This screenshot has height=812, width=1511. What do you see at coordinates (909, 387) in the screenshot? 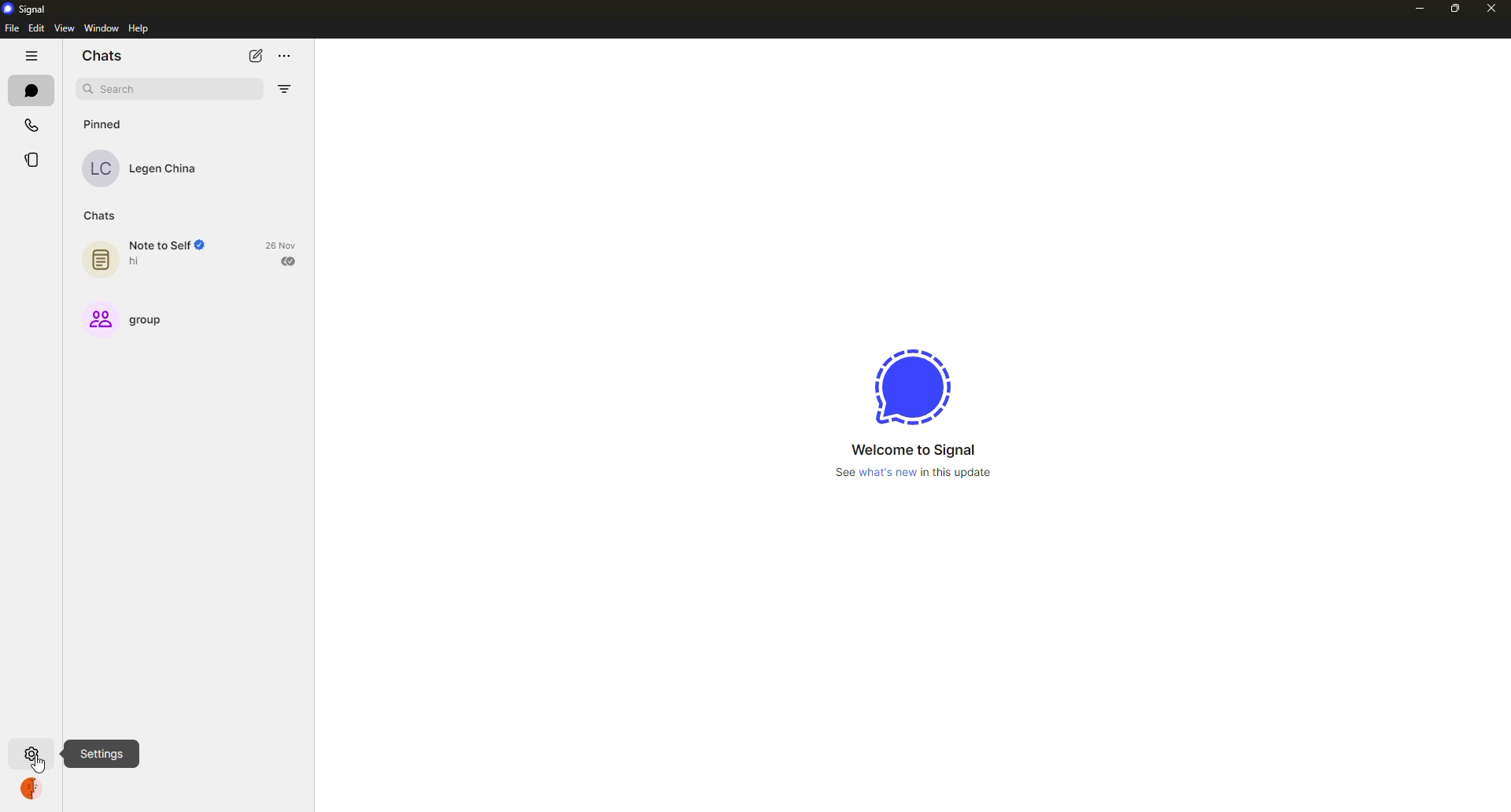
I see `signal` at bounding box center [909, 387].